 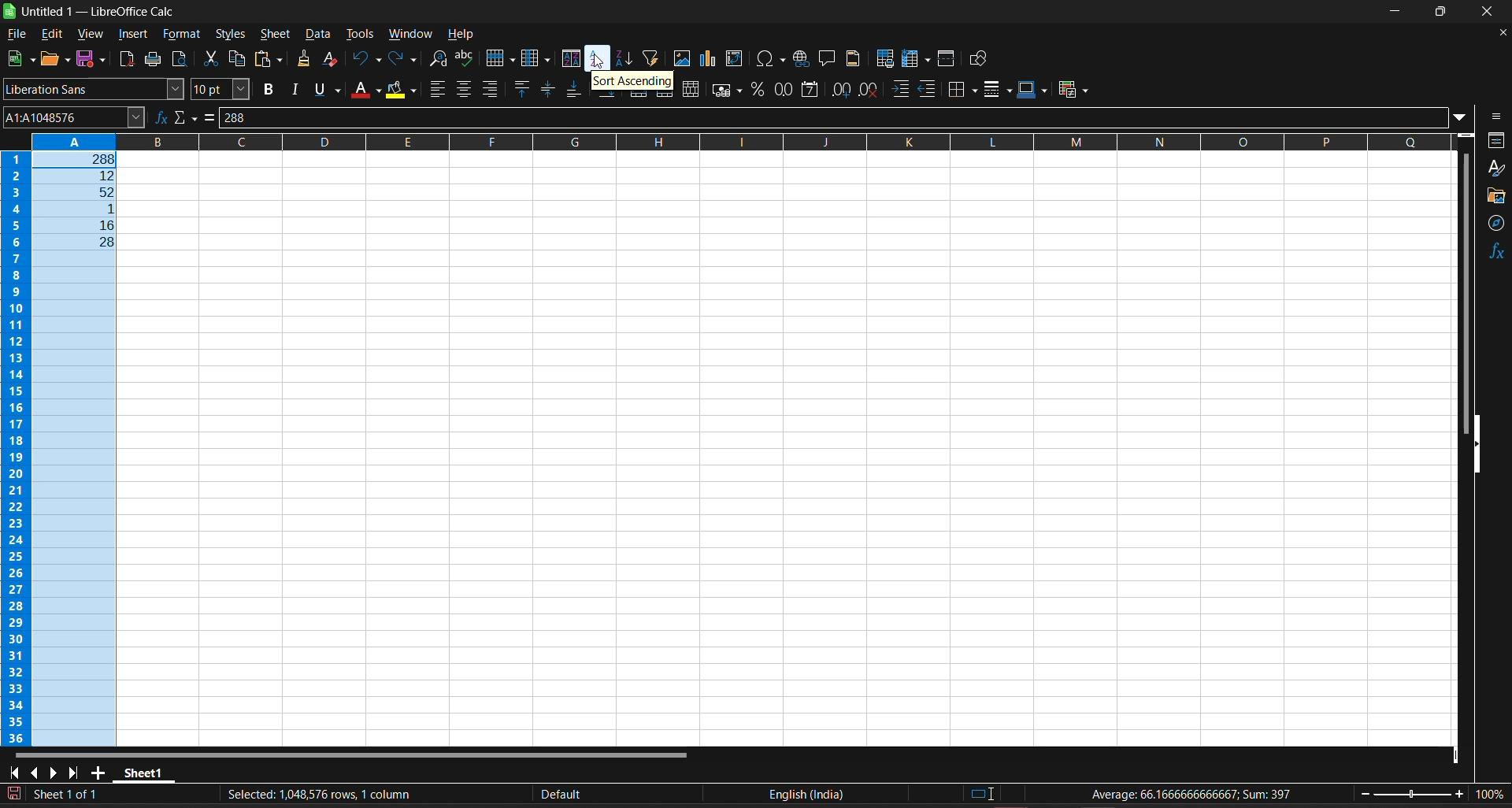 What do you see at coordinates (69, 795) in the screenshot?
I see `current sheet number` at bounding box center [69, 795].